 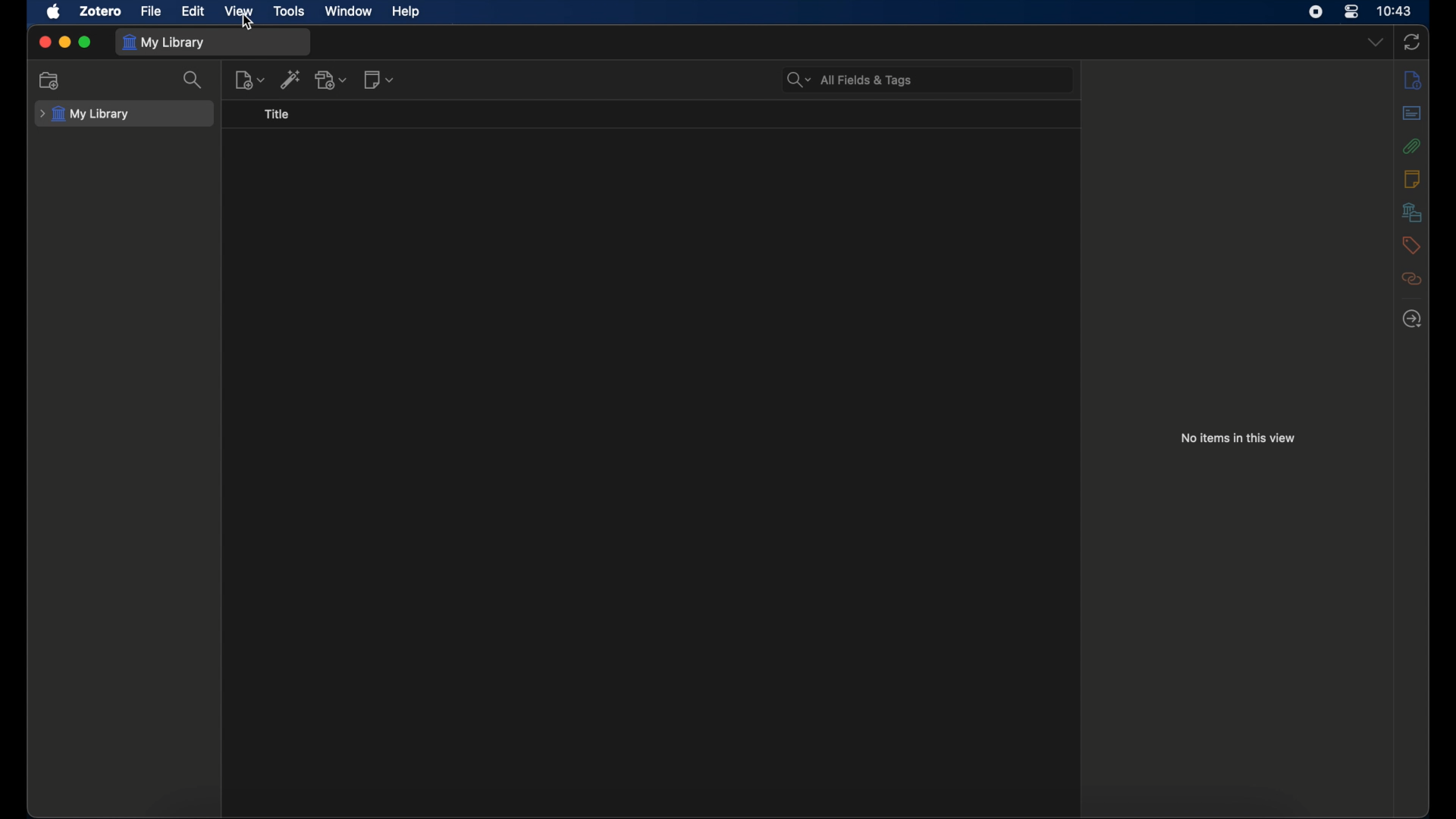 I want to click on dropdown, so click(x=1376, y=42).